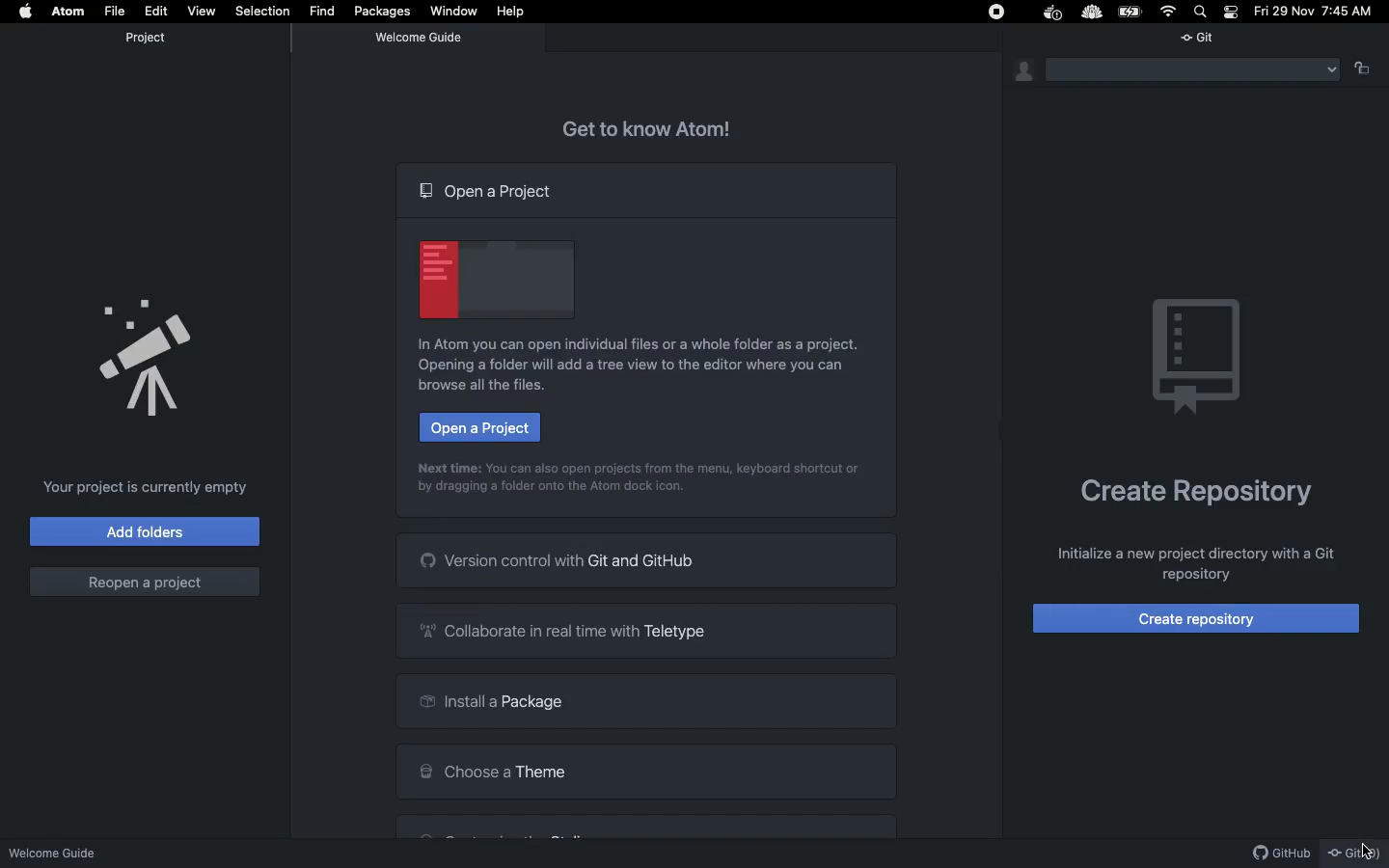  I want to click on Add folders, so click(144, 532).